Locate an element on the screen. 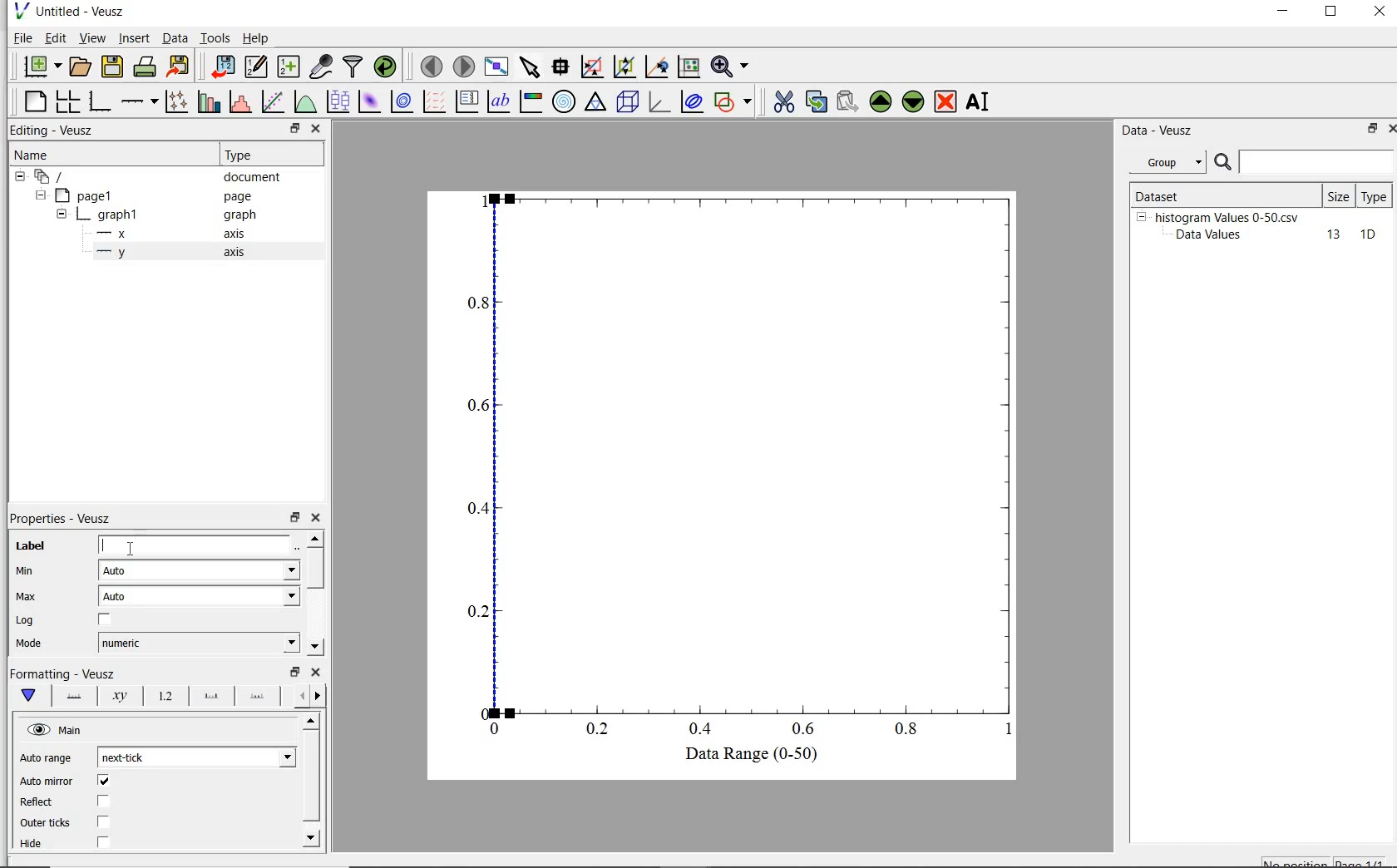  close is located at coordinates (1389, 131).